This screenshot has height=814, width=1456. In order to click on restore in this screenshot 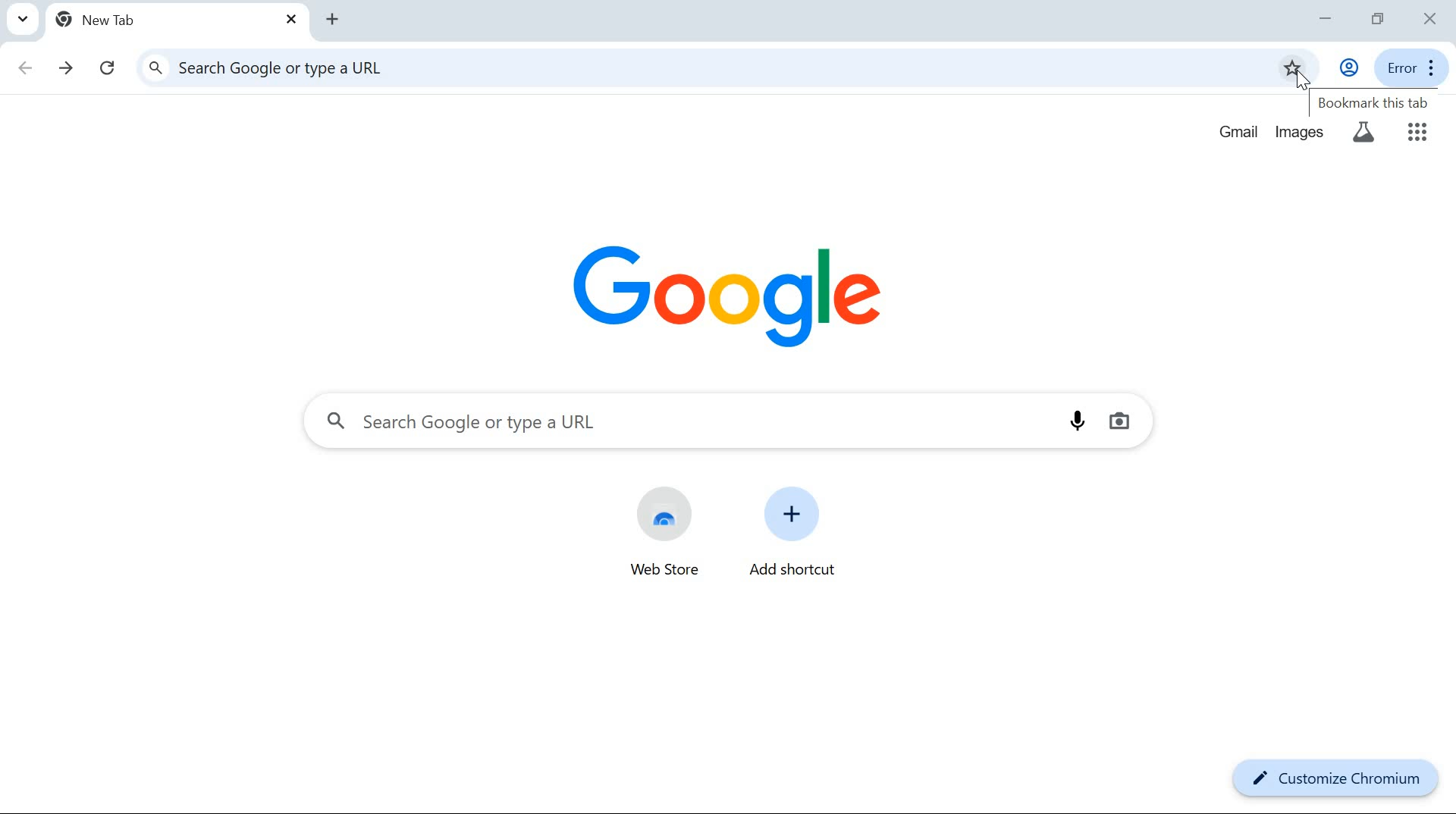, I will do `click(1380, 17)`.